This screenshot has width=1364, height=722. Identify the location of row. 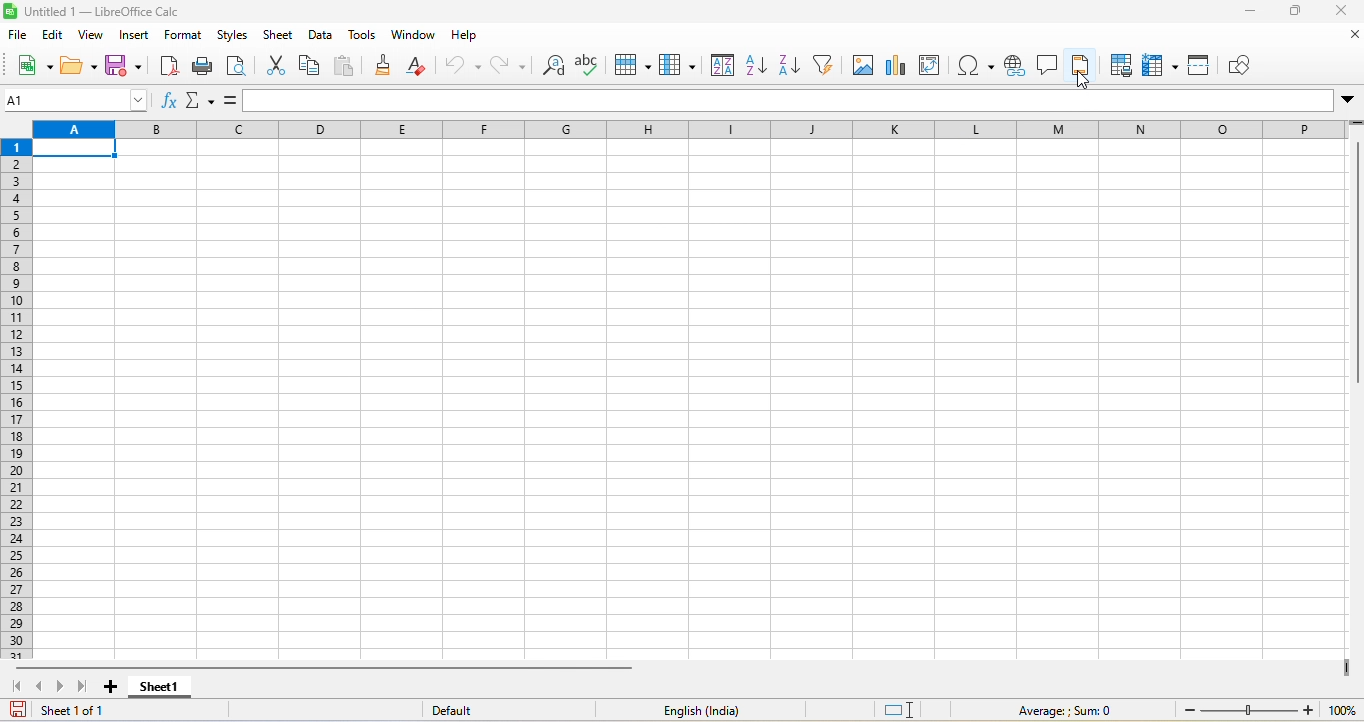
(637, 64).